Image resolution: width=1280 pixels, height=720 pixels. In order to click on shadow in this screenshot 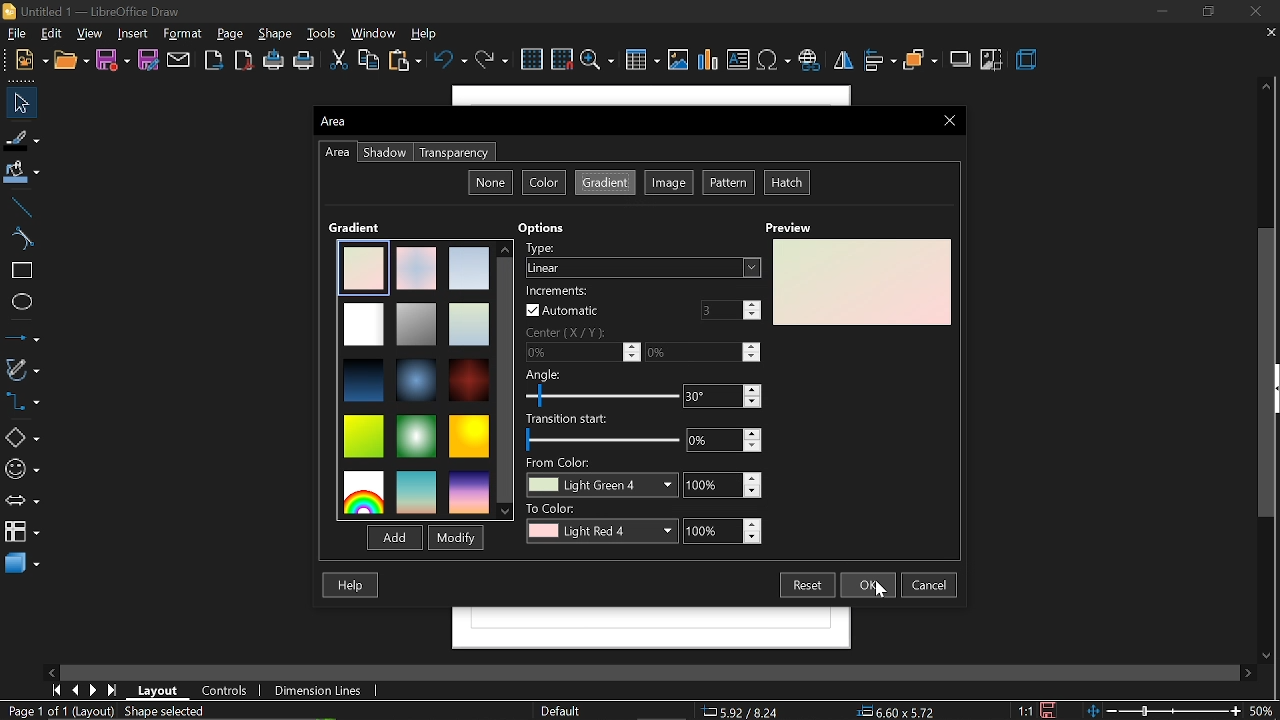, I will do `click(961, 61)`.